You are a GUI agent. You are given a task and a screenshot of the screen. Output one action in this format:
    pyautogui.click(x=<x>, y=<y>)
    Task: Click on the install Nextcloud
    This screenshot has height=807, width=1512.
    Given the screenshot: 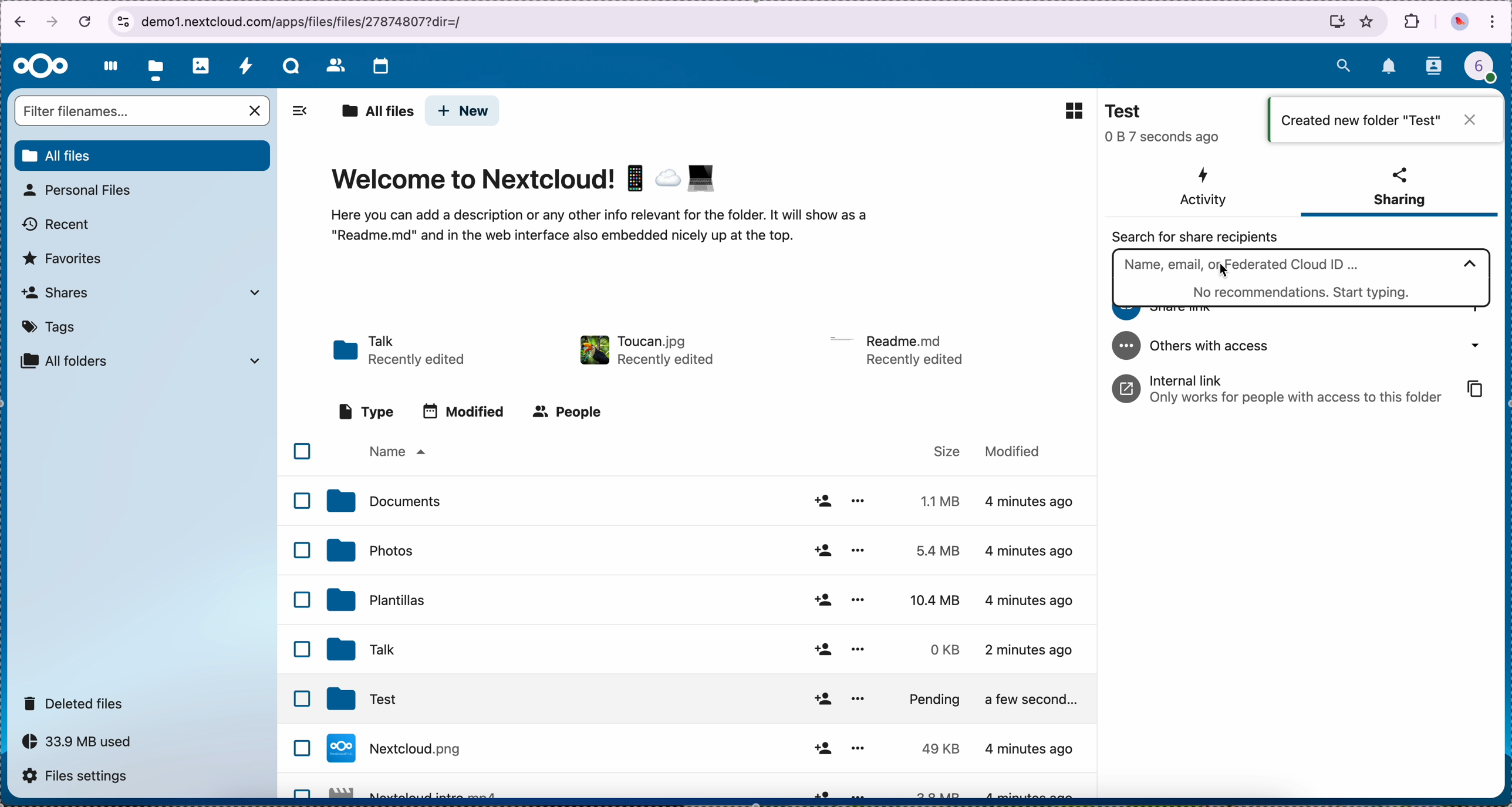 What is the action you would take?
    pyautogui.click(x=1337, y=24)
    